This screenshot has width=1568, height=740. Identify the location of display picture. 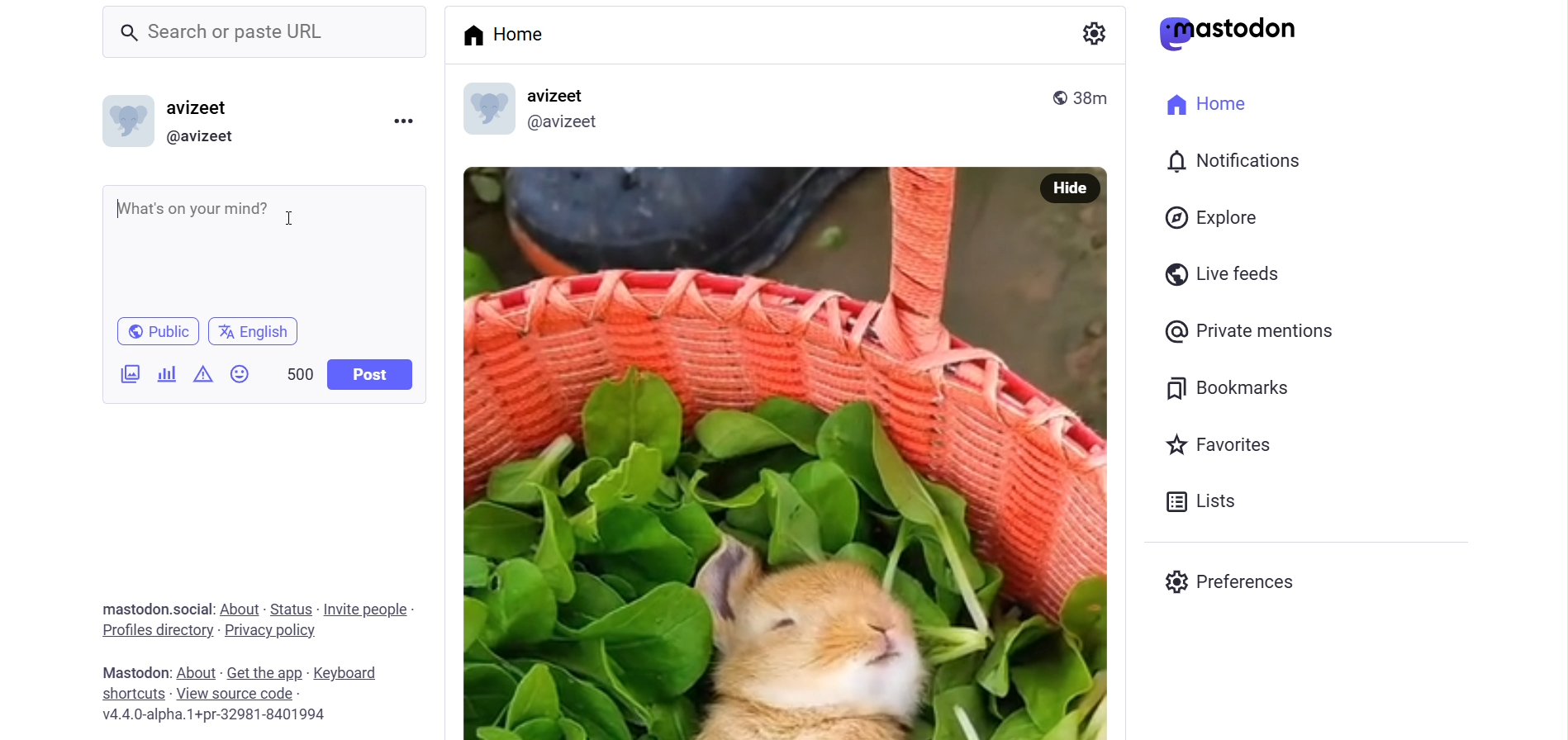
(486, 107).